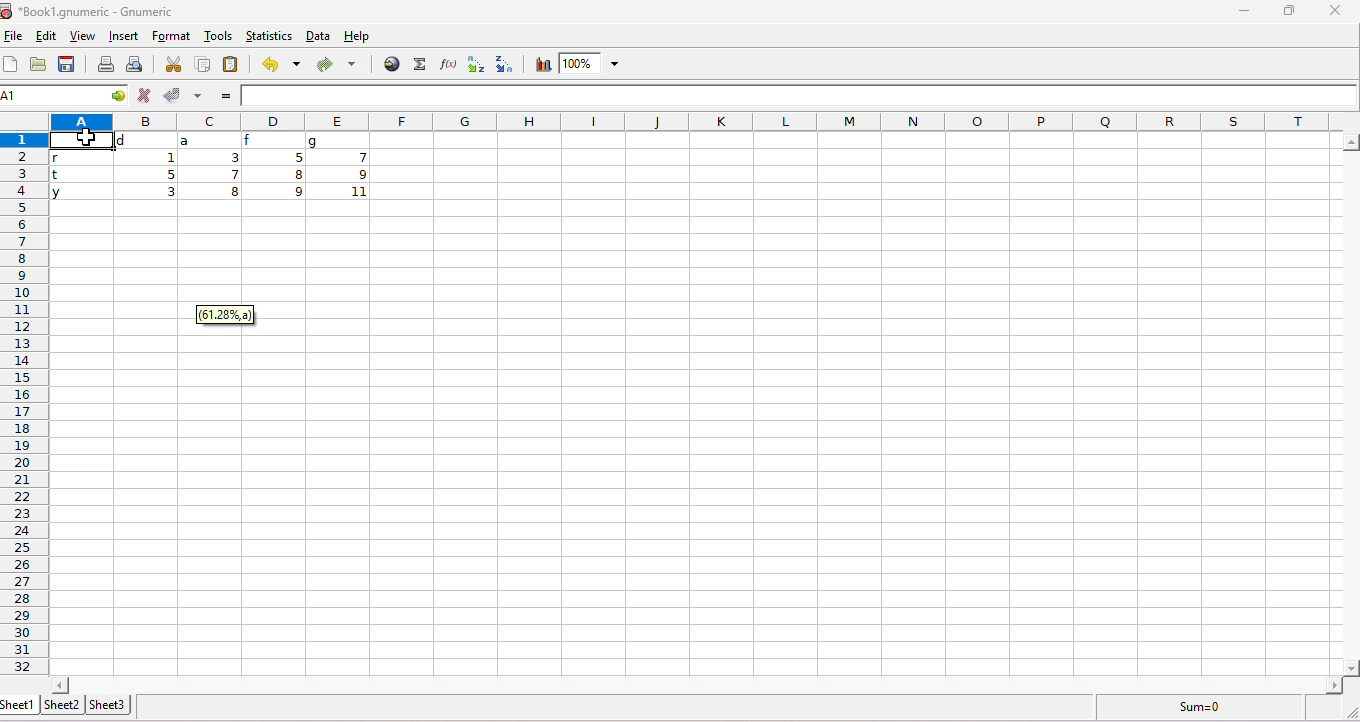 This screenshot has height=722, width=1360. I want to click on close, so click(1334, 11).